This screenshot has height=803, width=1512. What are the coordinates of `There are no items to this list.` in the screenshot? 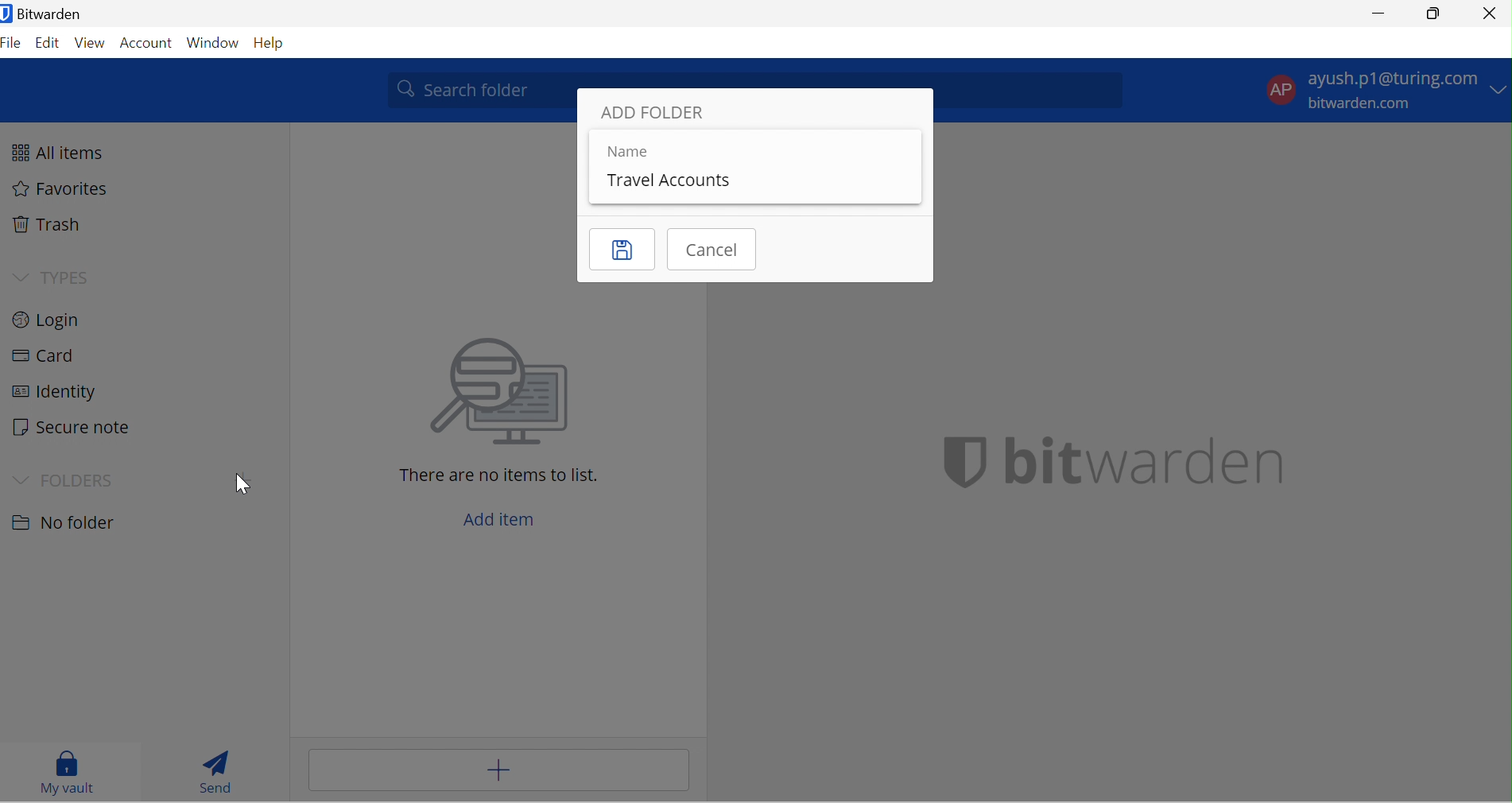 It's located at (504, 477).